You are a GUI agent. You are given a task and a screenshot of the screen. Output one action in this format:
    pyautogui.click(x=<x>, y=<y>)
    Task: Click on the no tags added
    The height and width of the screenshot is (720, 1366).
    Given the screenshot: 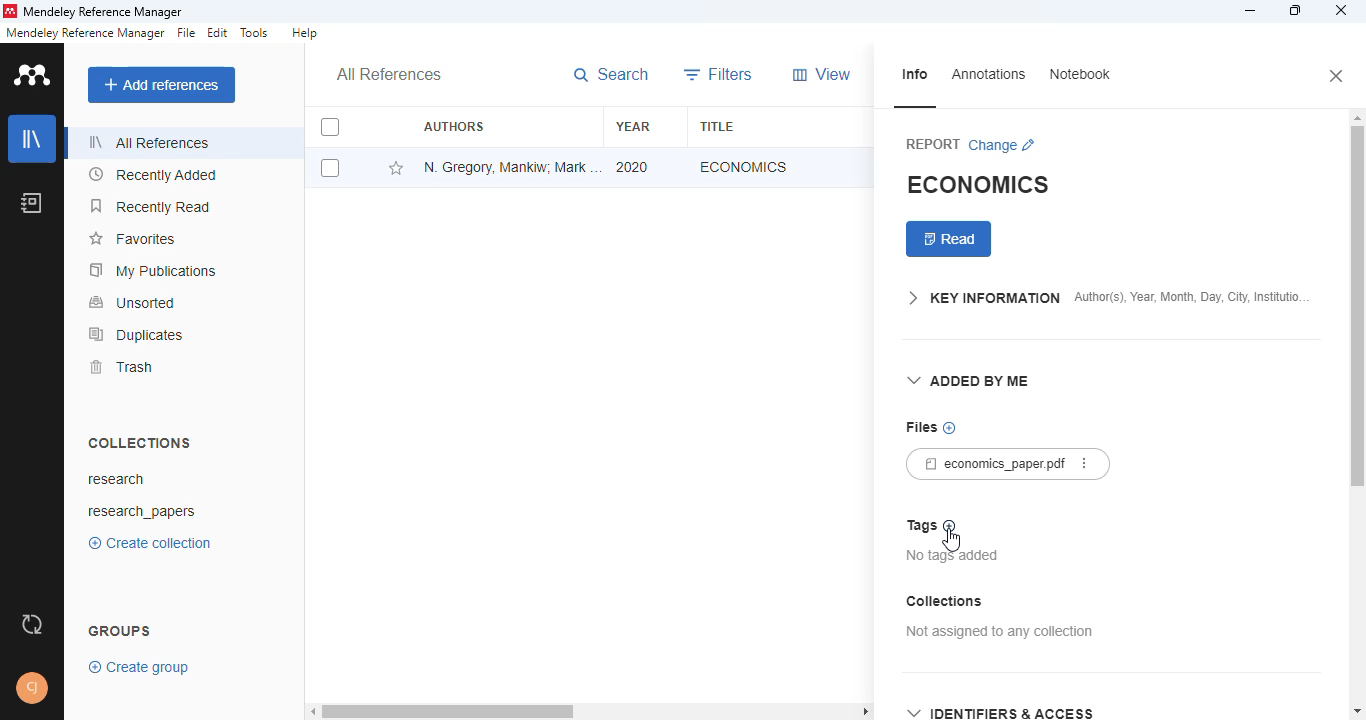 What is the action you would take?
    pyautogui.click(x=951, y=555)
    